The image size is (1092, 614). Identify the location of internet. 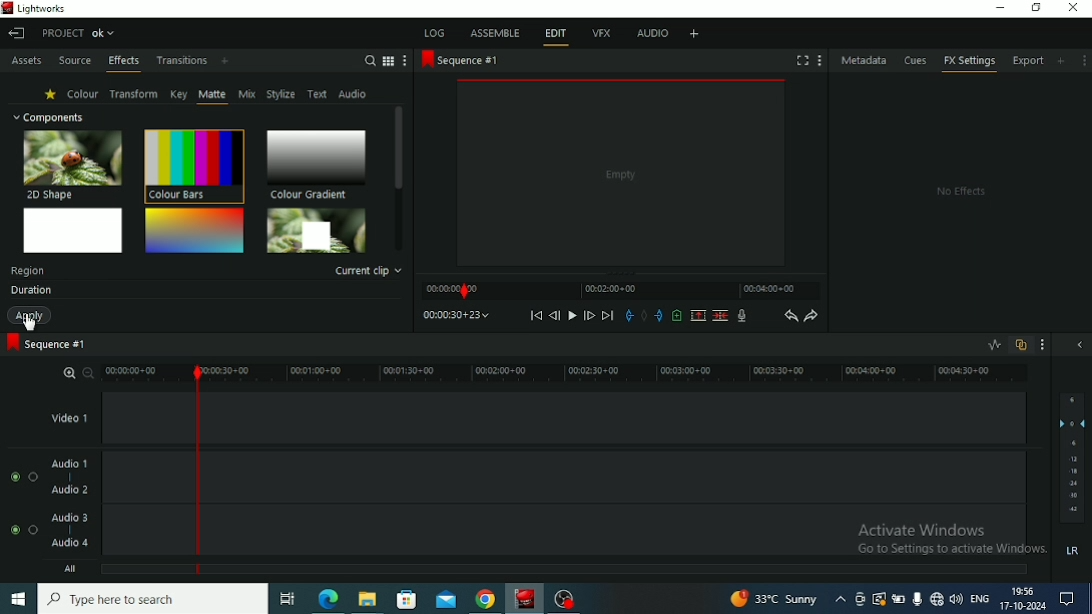
(937, 598).